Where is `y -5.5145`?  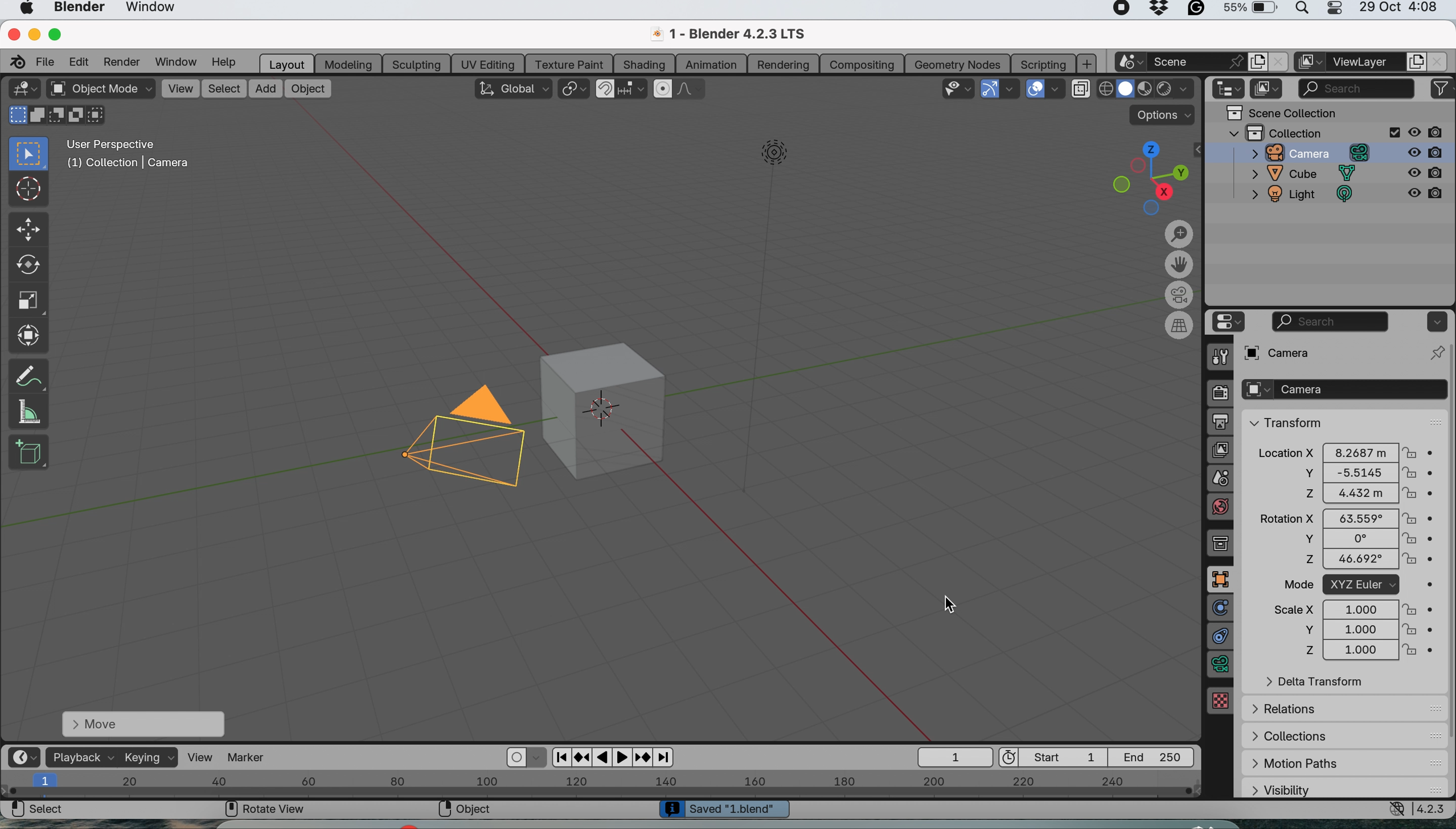 y -5.5145 is located at coordinates (1355, 474).